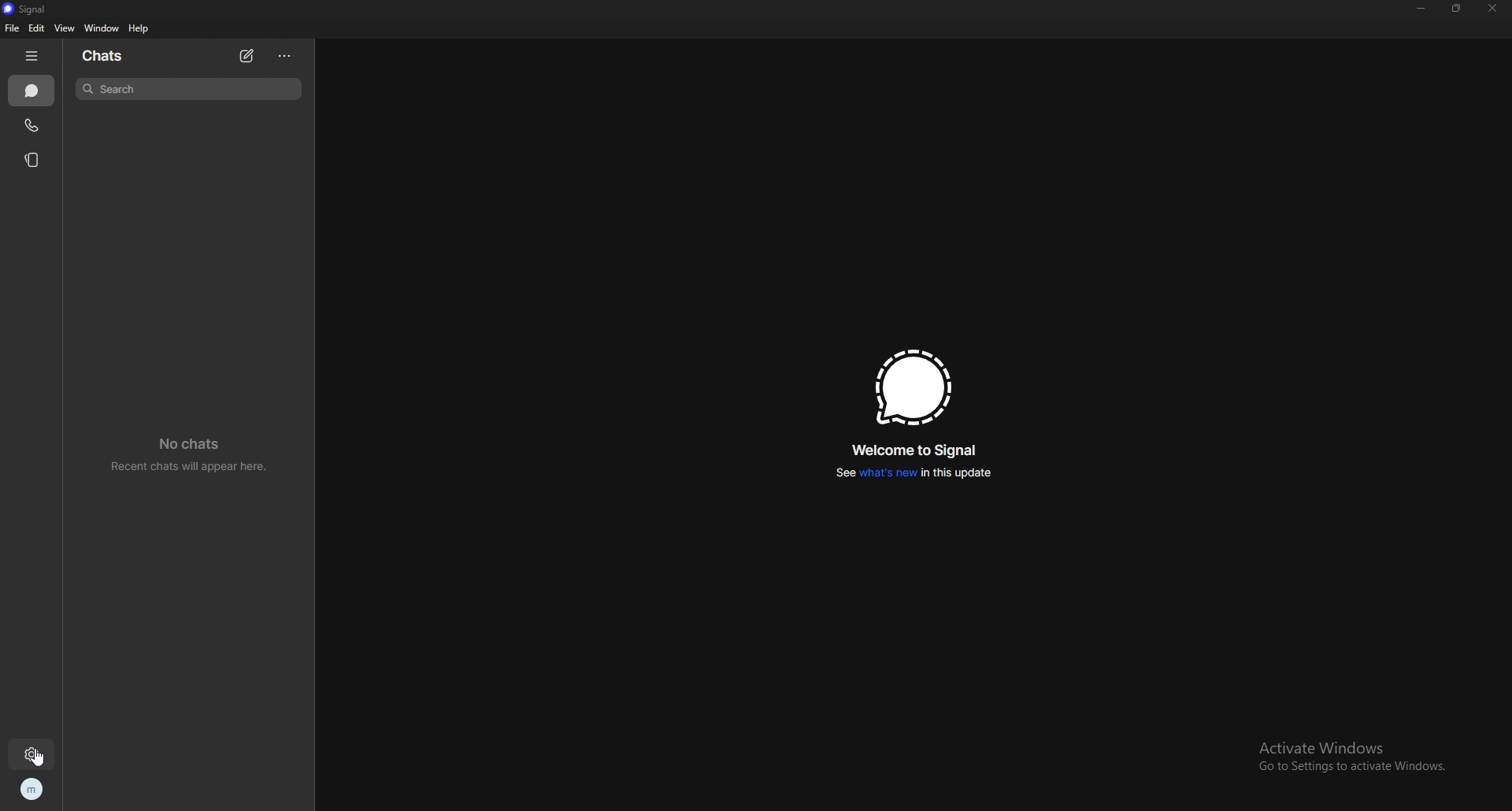 The width and height of the screenshot is (1512, 811). I want to click on signal logo, so click(913, 387).